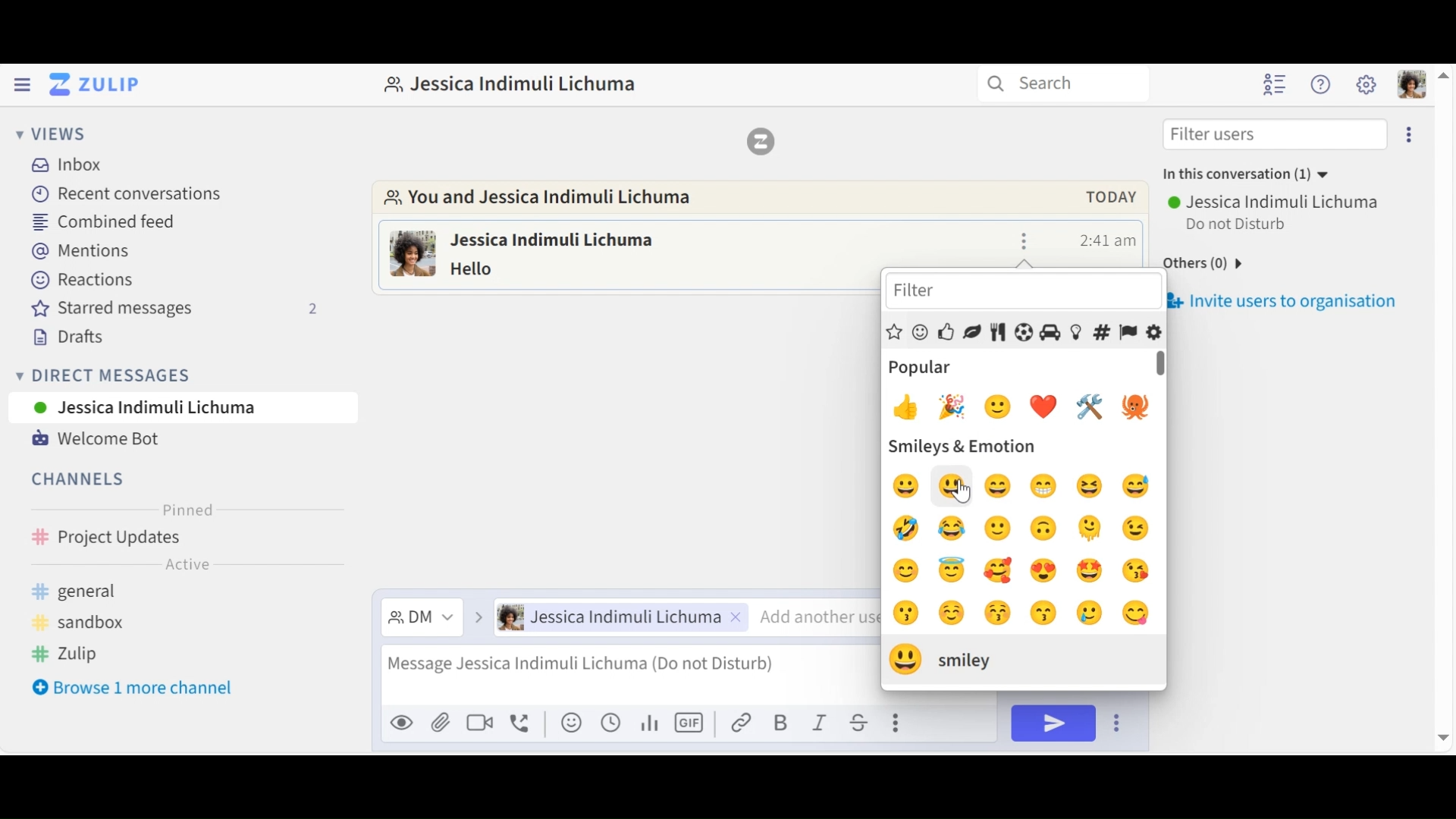  Describe the element at coordinates (1239, 225) in the screenshot. I see `Status` at that location.